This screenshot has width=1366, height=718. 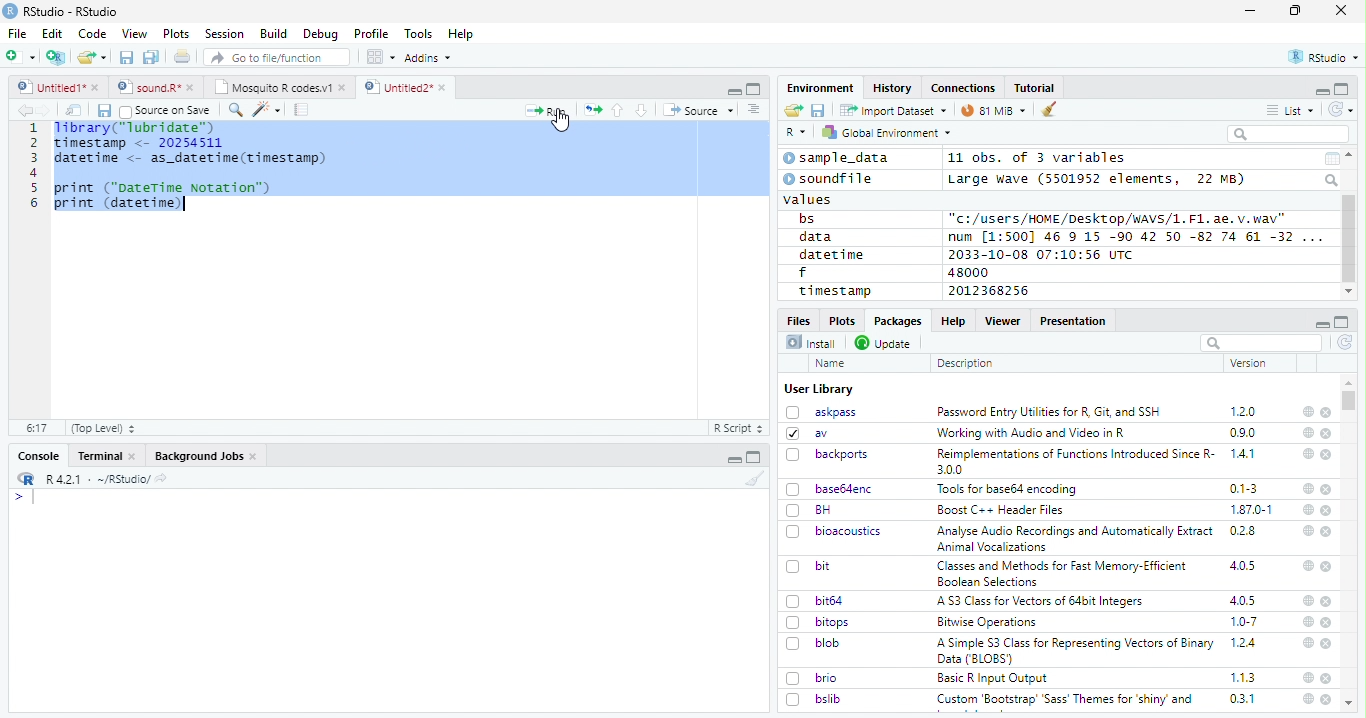 I want to click on Run the current line, so click(x=546, y=110).